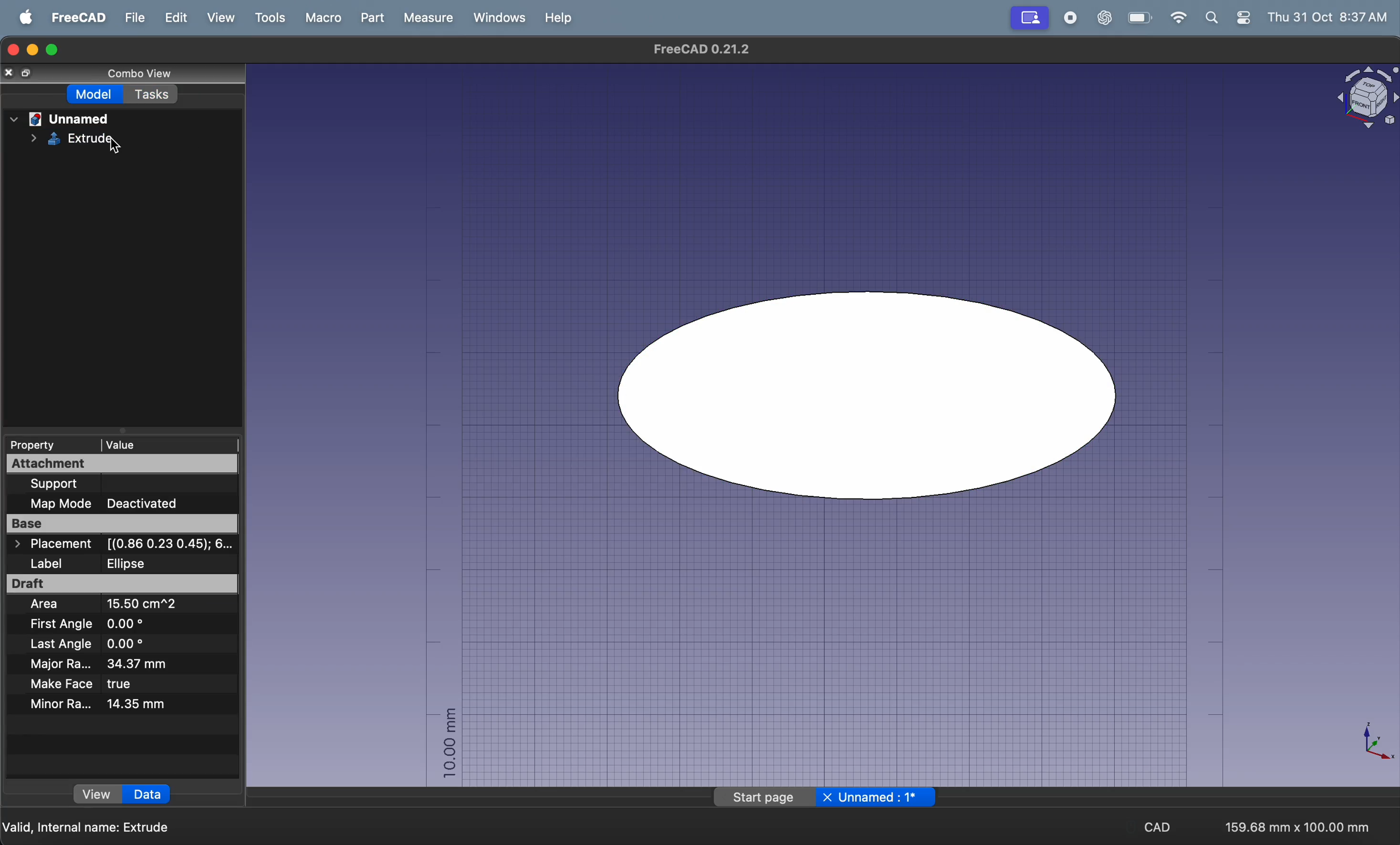  Describe the element at coordinates (164, 504) in the screenshot. I see `deactivated` at that location.